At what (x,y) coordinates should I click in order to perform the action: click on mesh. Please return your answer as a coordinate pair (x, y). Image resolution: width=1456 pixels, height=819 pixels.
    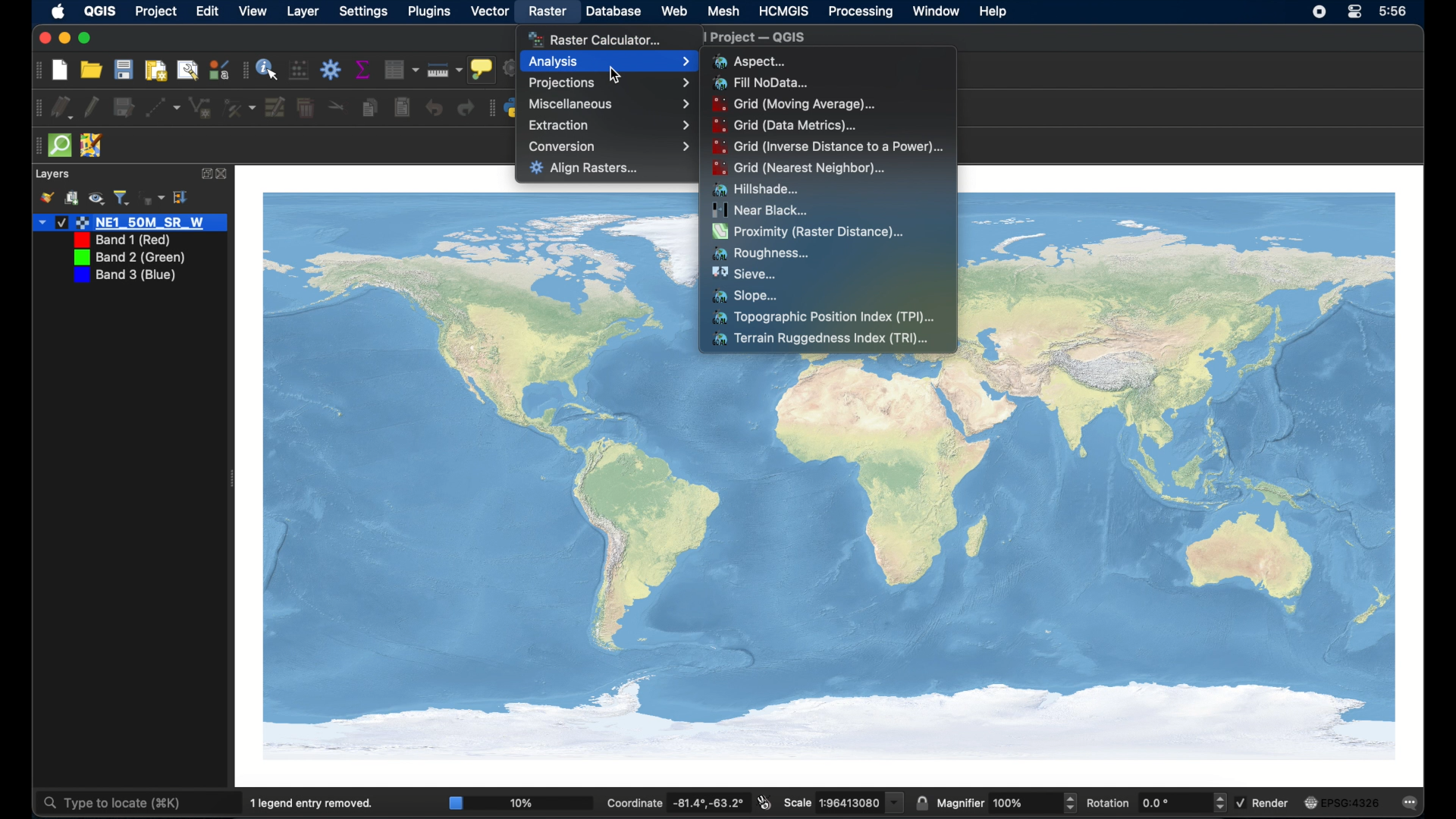
    Looking at the image, I should click on (723, 11).